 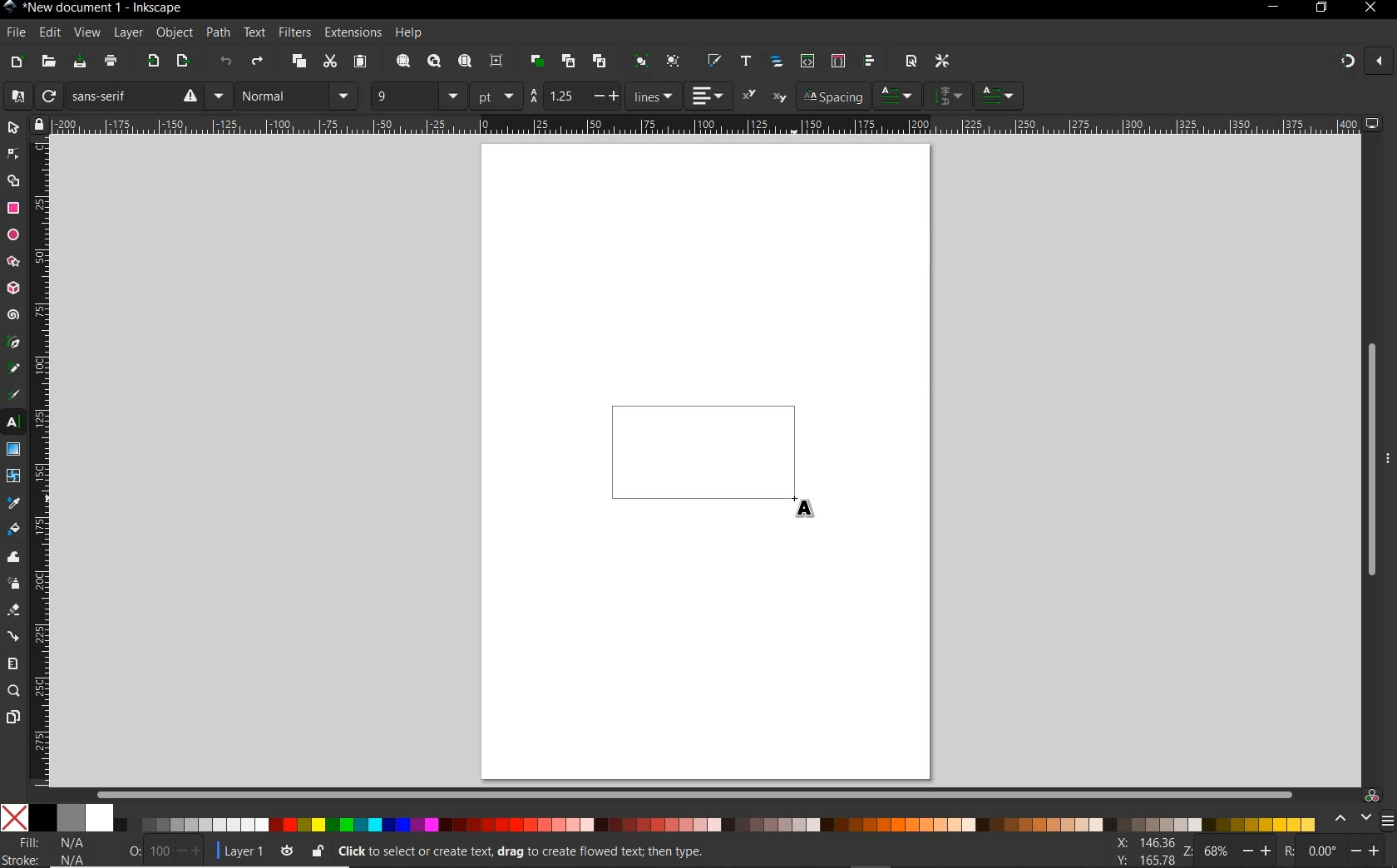 I want to click on open file dialog, so click(x=47, y=62).